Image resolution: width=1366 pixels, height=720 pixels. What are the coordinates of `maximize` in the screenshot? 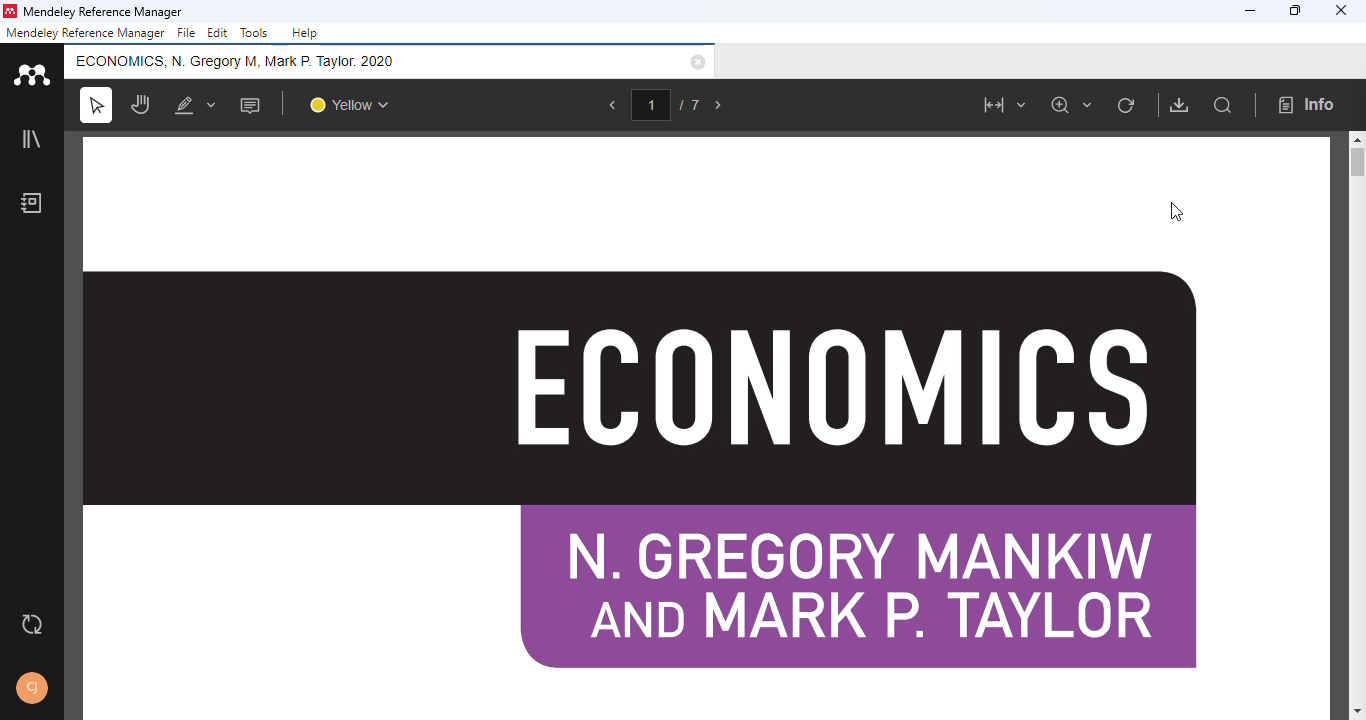 It's located at (1295, 10).